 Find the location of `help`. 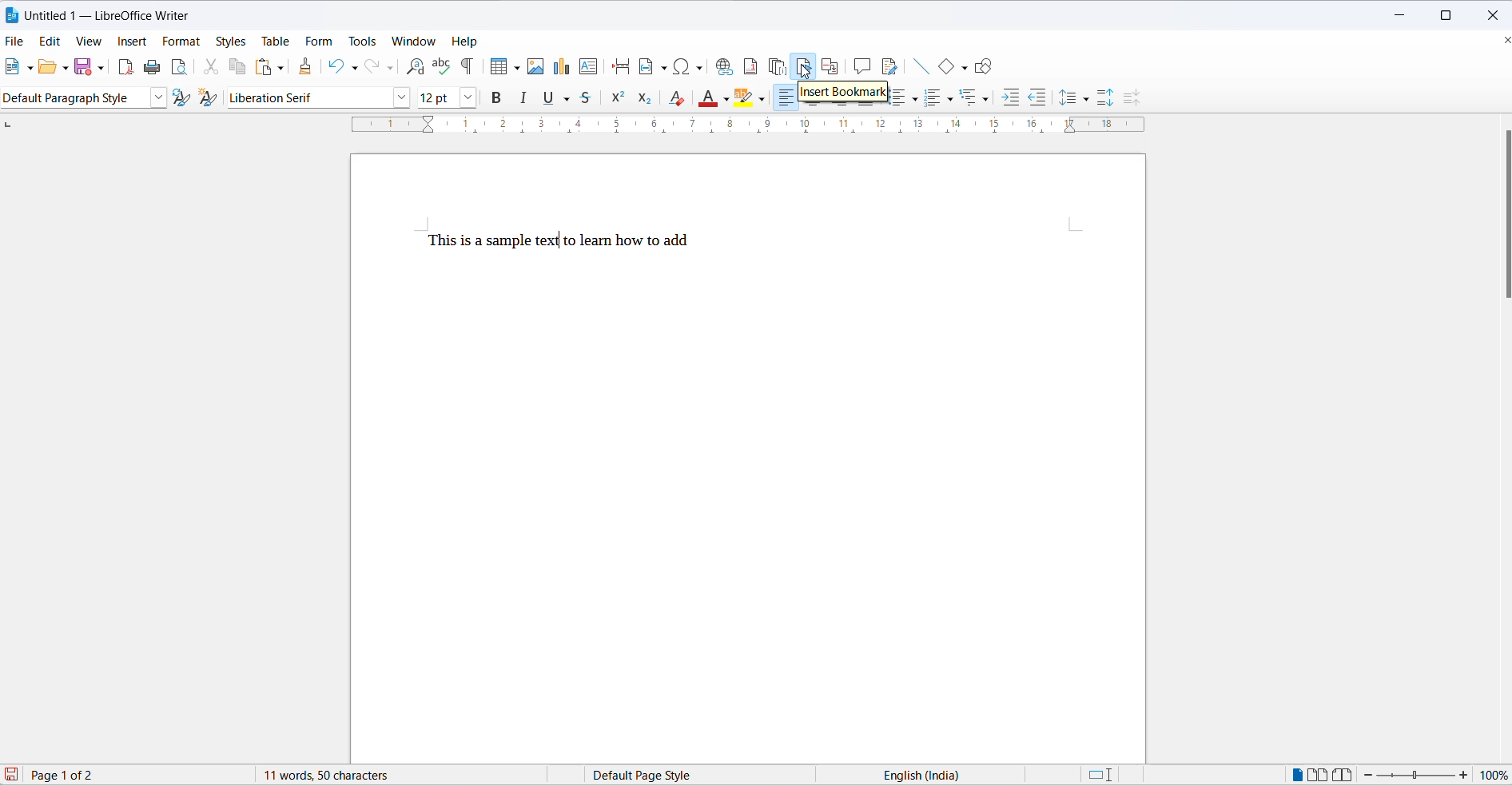

help is located at coordinates (468, 42).